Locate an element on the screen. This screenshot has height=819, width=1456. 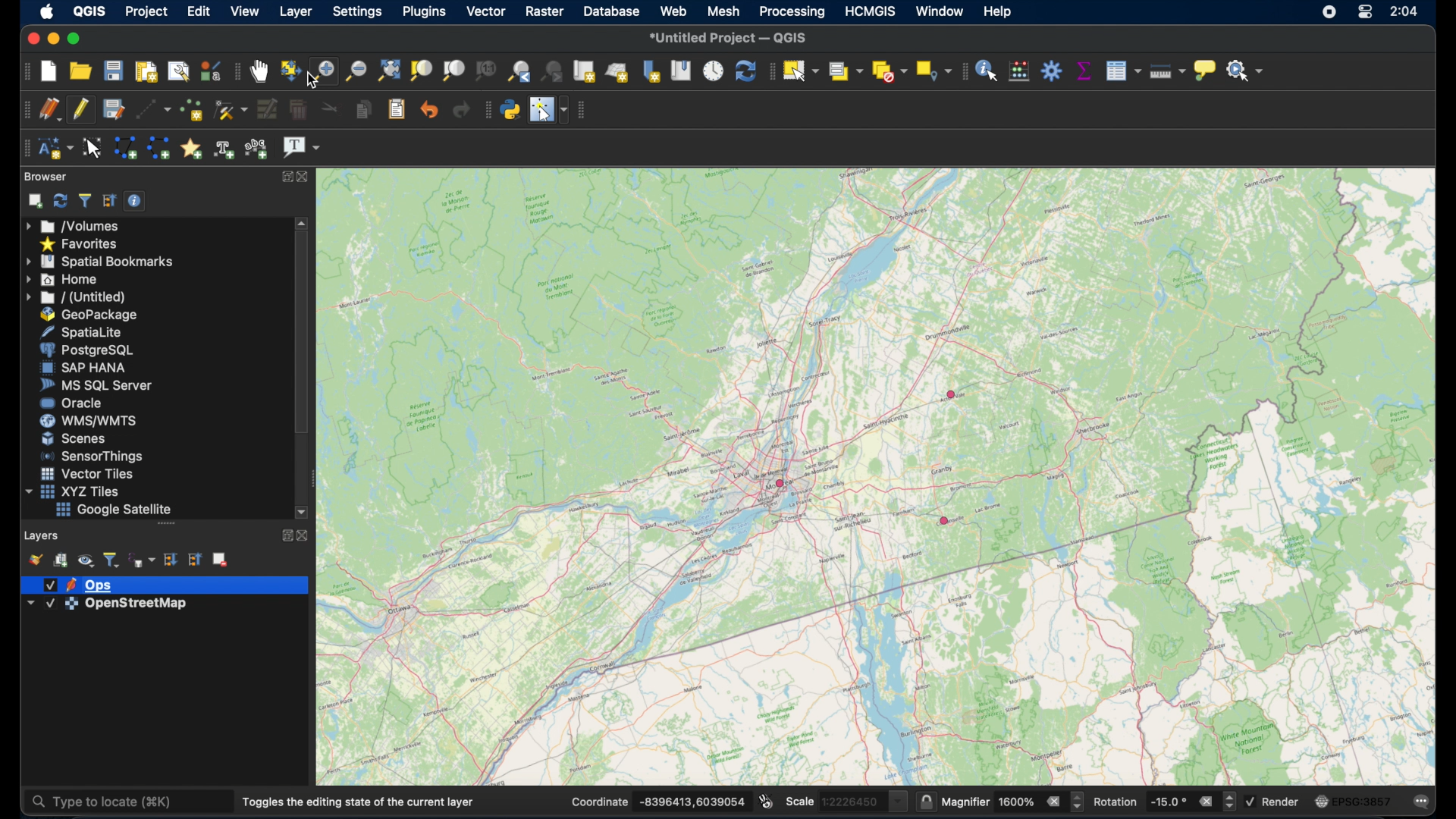
zoom to selection is located at coordinates (421, 71).